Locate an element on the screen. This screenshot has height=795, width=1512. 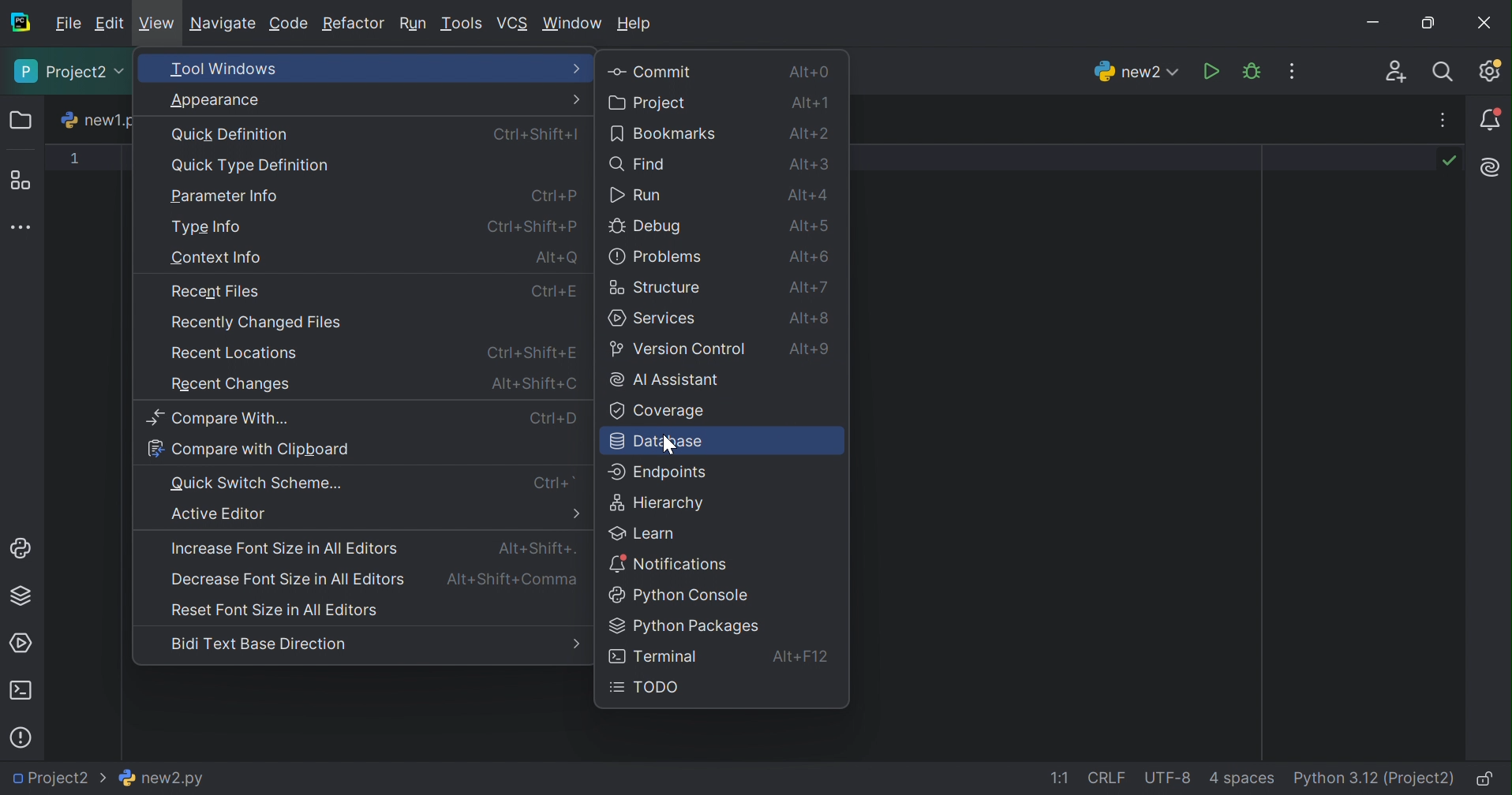
Restore down is located at coordinates (1428, 24).